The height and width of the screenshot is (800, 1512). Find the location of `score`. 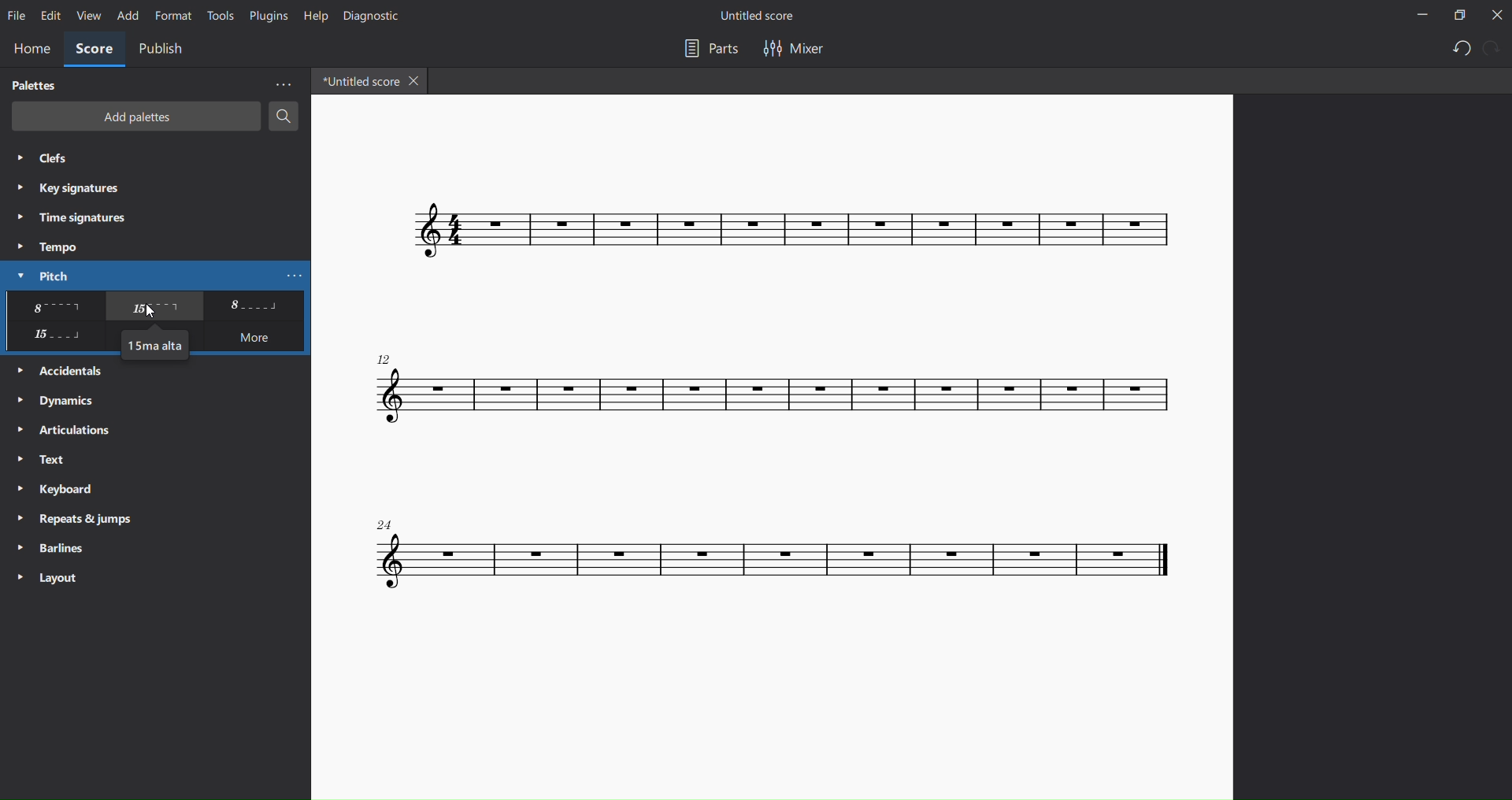

score is located at coordinates (92, 50).